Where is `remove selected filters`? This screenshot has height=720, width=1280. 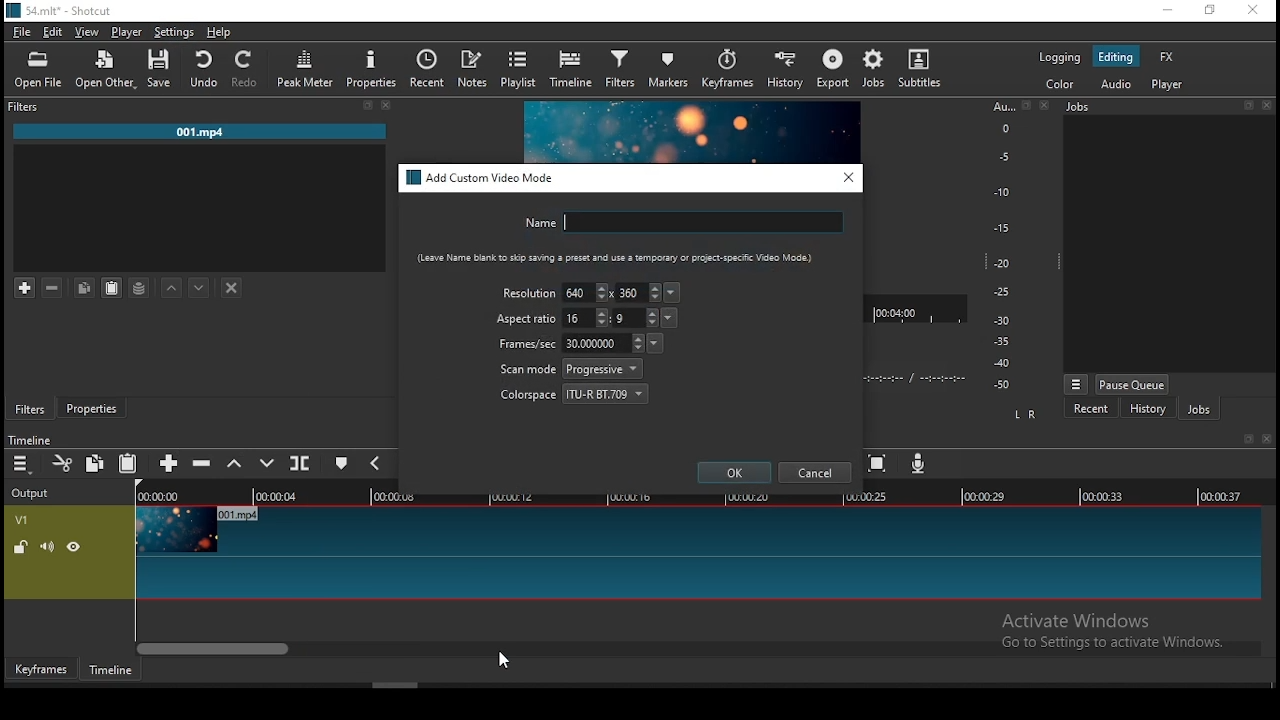
remove selected filters is located at coordinates (53, 288).